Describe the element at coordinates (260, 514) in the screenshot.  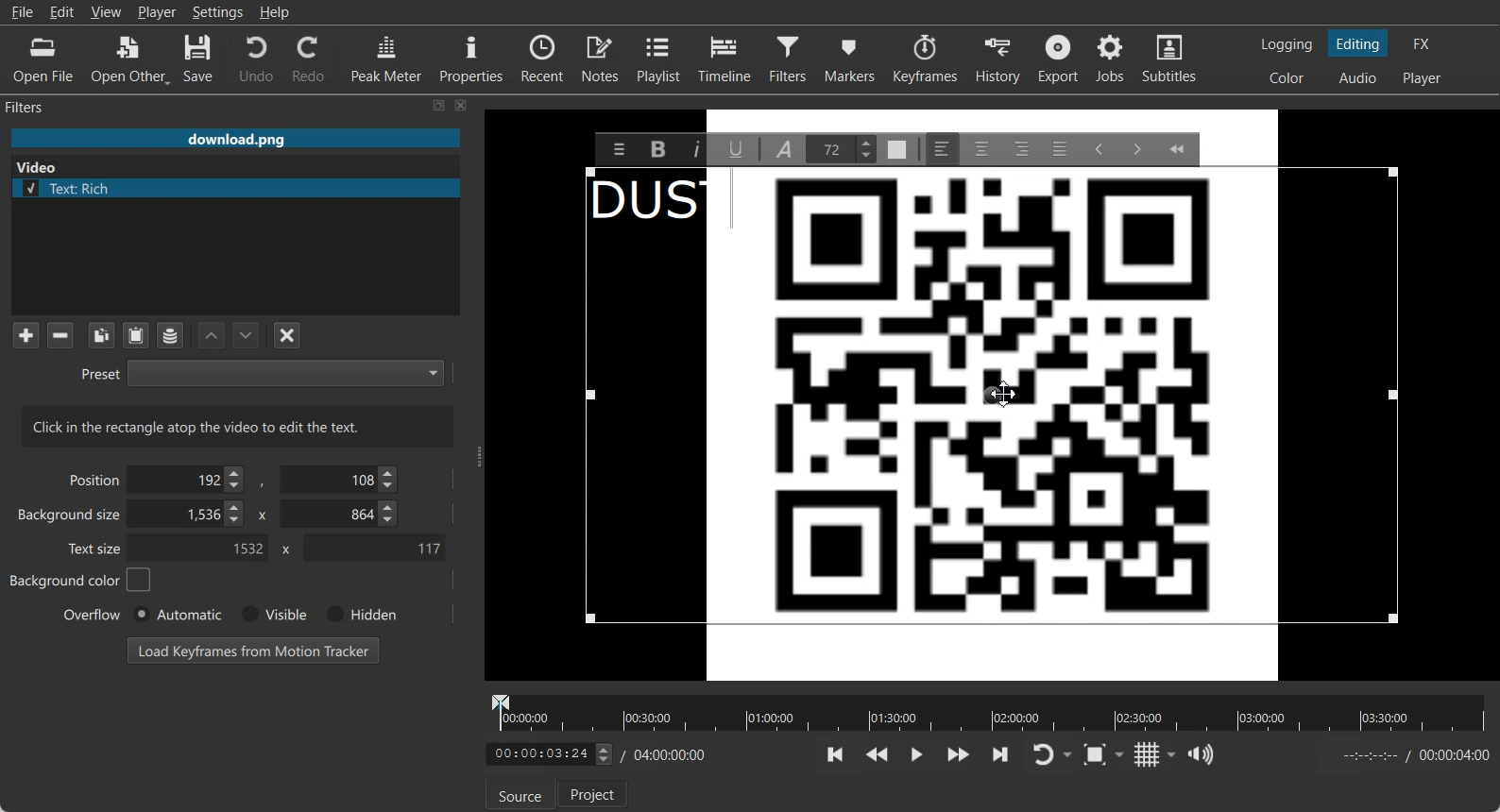
I see `x` at that location.